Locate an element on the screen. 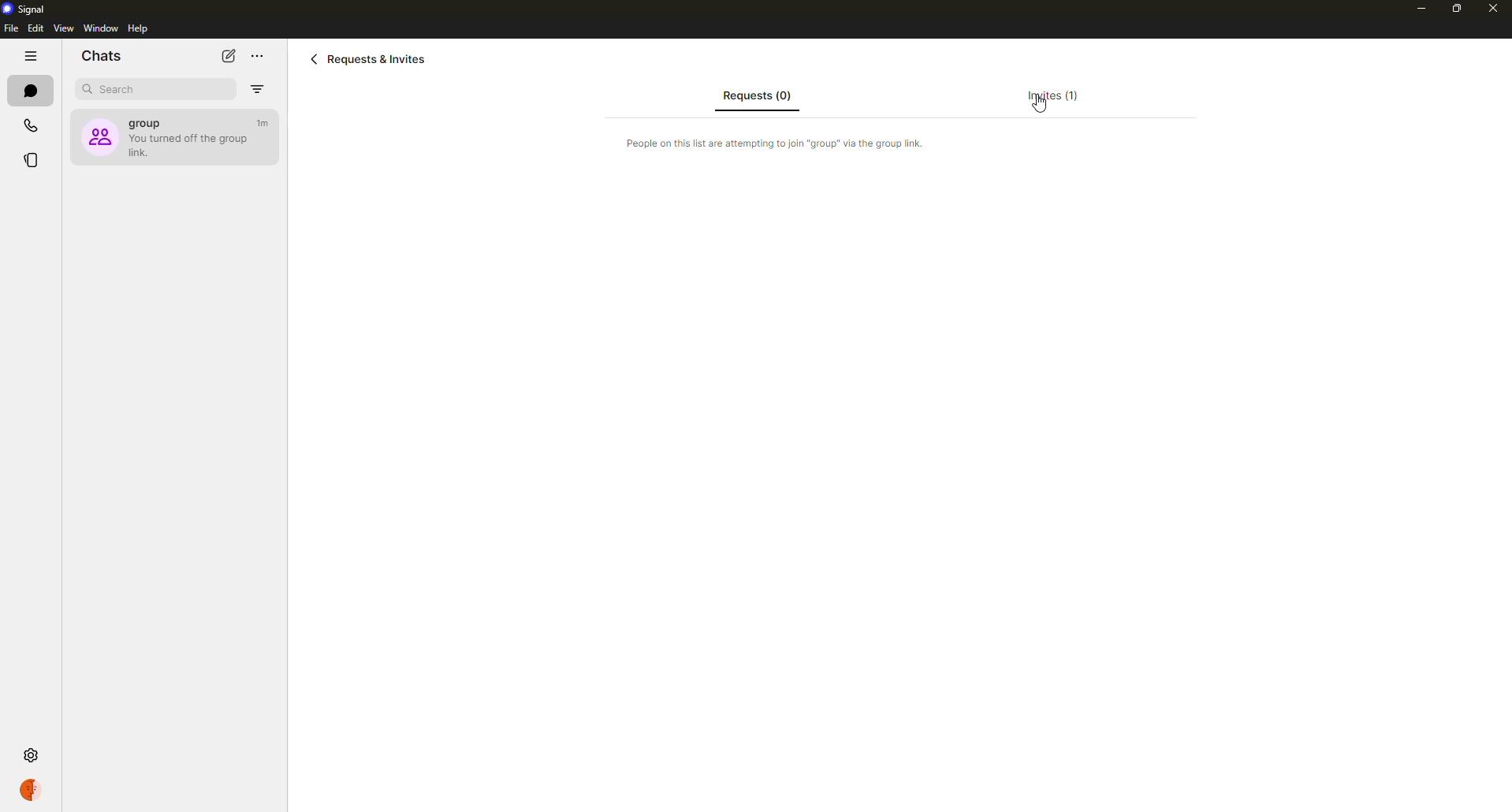  help is located at coordinates (136, 29).